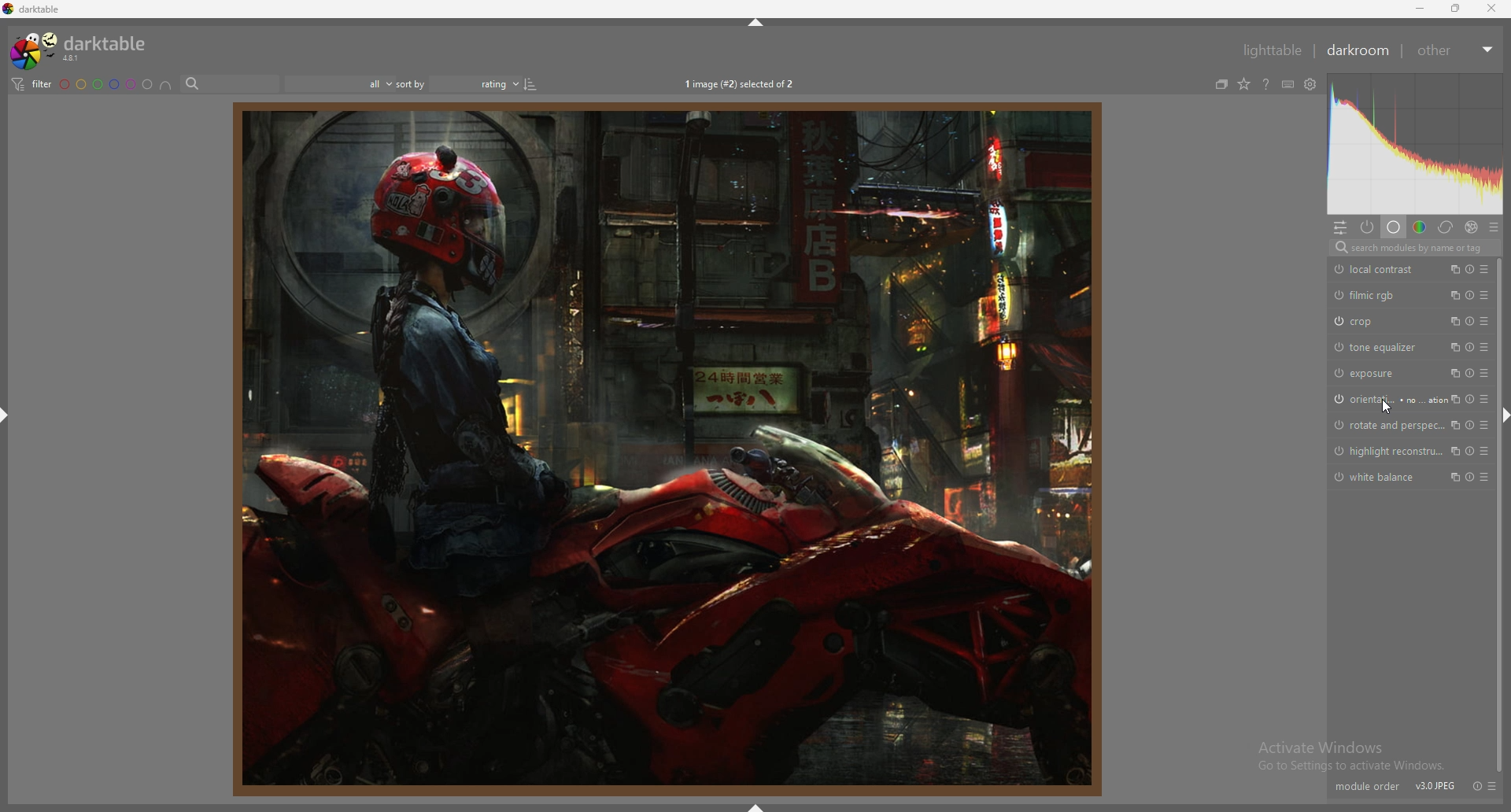 The image size is (1511, 812). Describe the element at coordinates (31, 85) in the screenshot. I see `filter` at that location.